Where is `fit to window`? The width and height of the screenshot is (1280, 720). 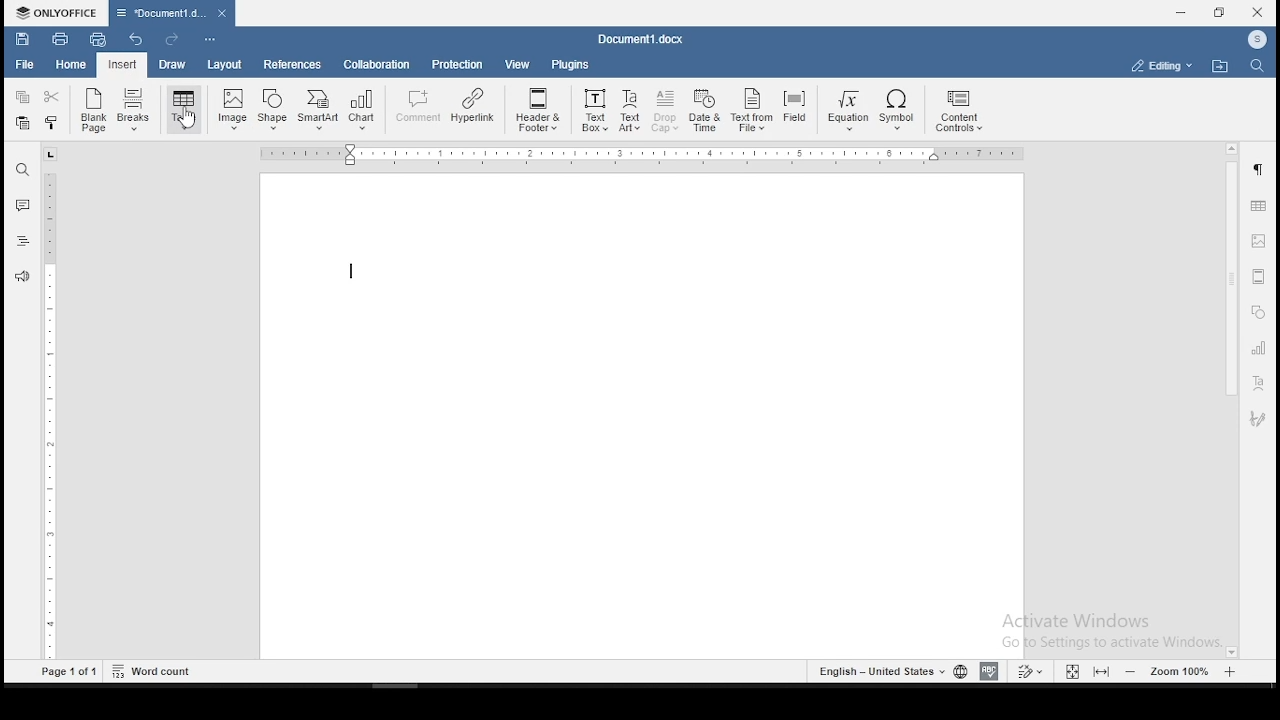 fit to window is located at coordinates (1071, 671).